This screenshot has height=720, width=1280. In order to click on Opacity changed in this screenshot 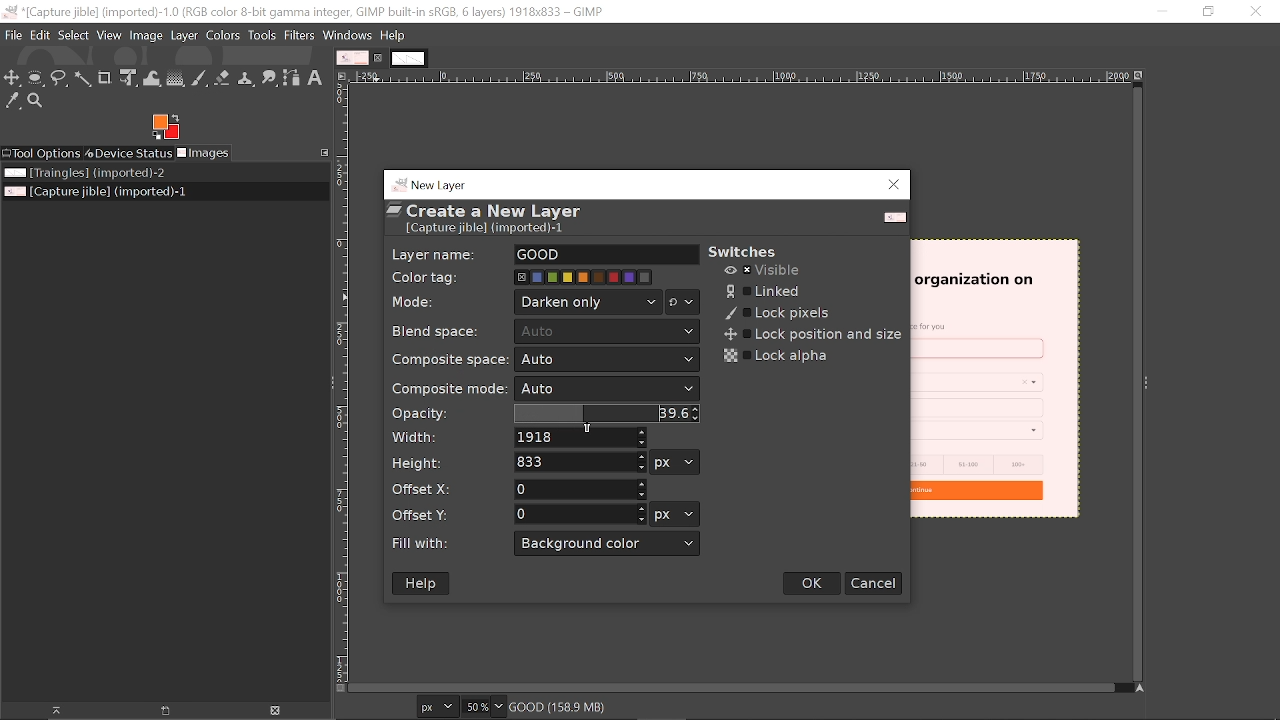, I will do `click(603, 413)`.